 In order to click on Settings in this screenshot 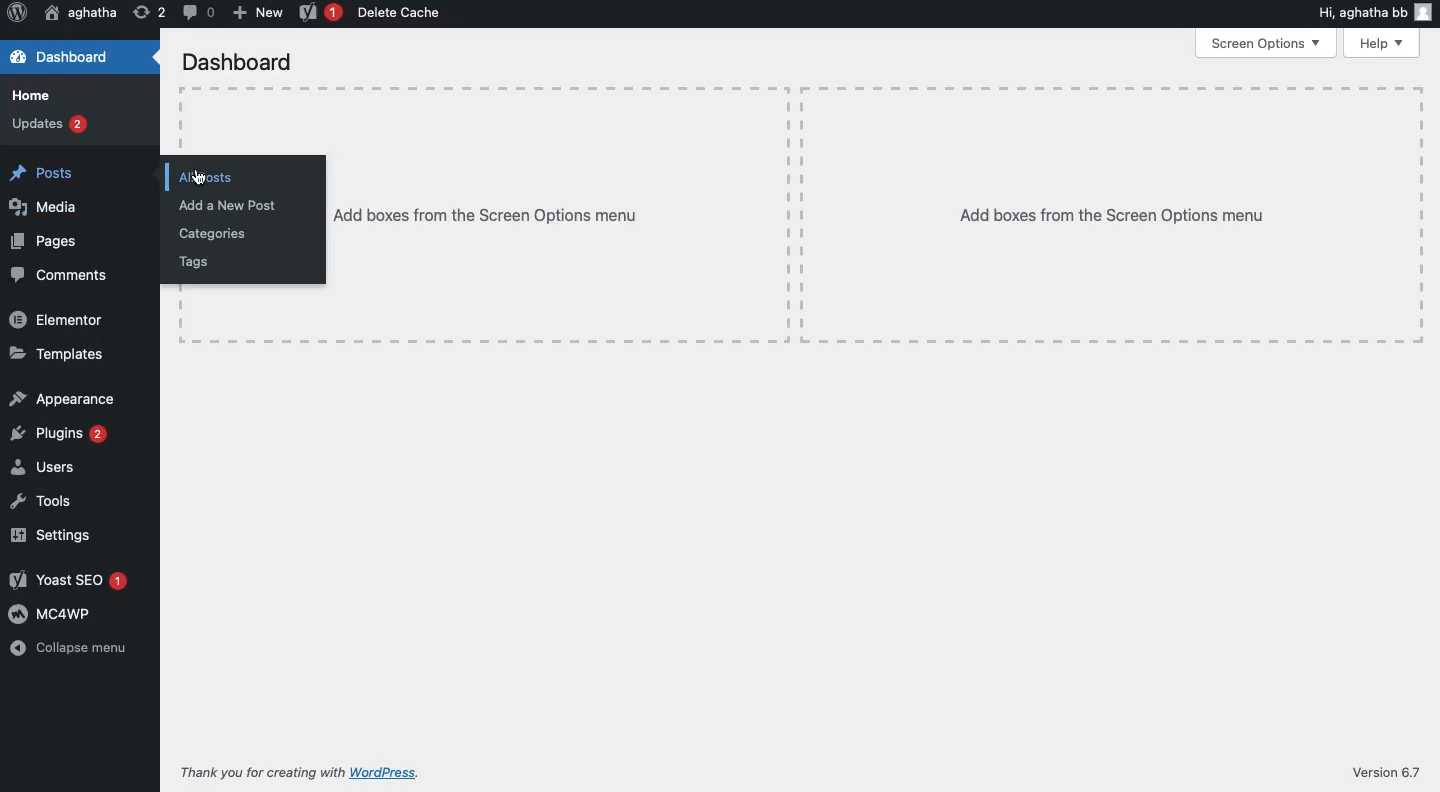, I will do `click(53, 533)`.